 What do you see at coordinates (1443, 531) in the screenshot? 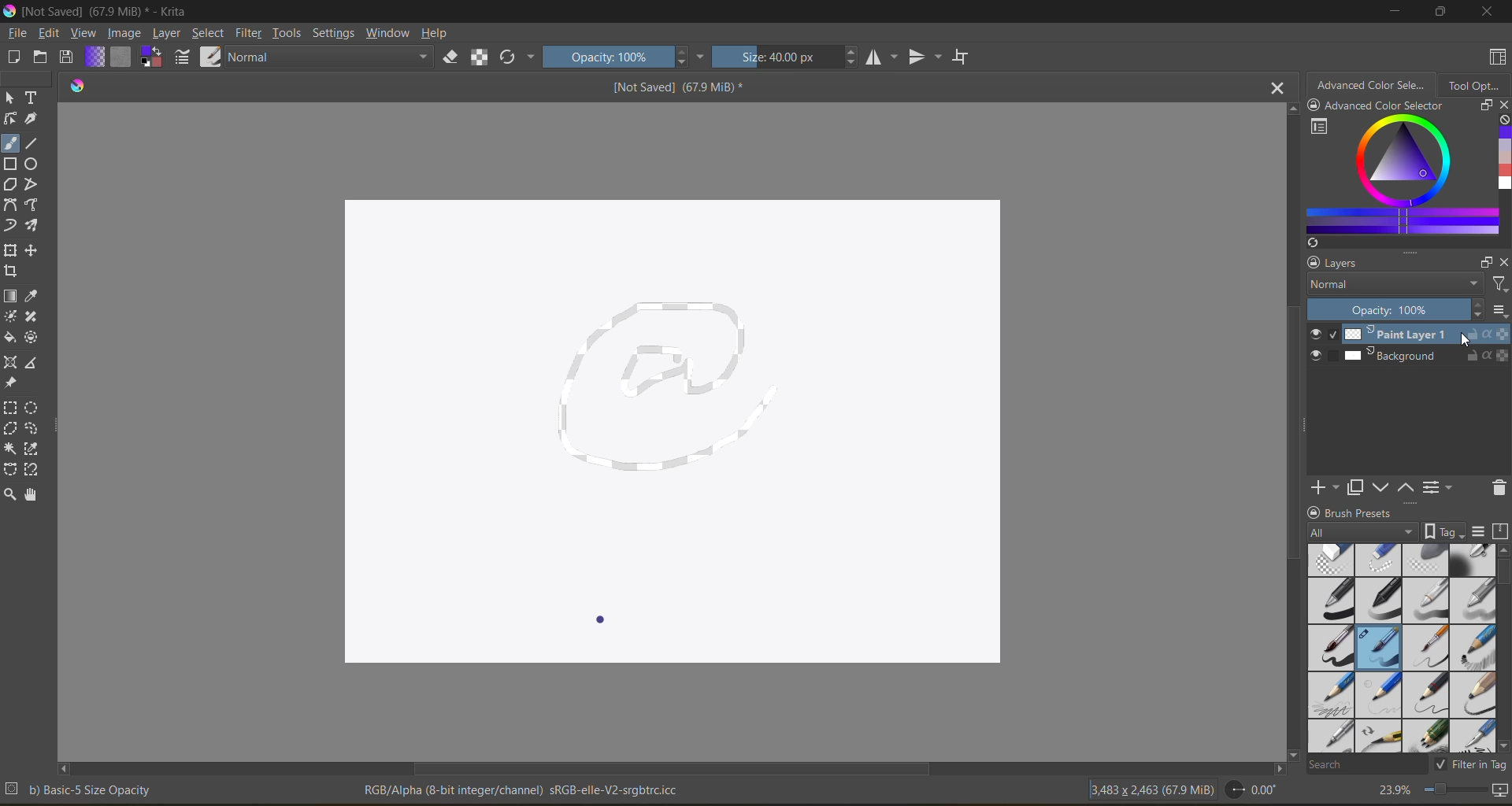
I see `show tag box` at bounding box center [1443, 531].